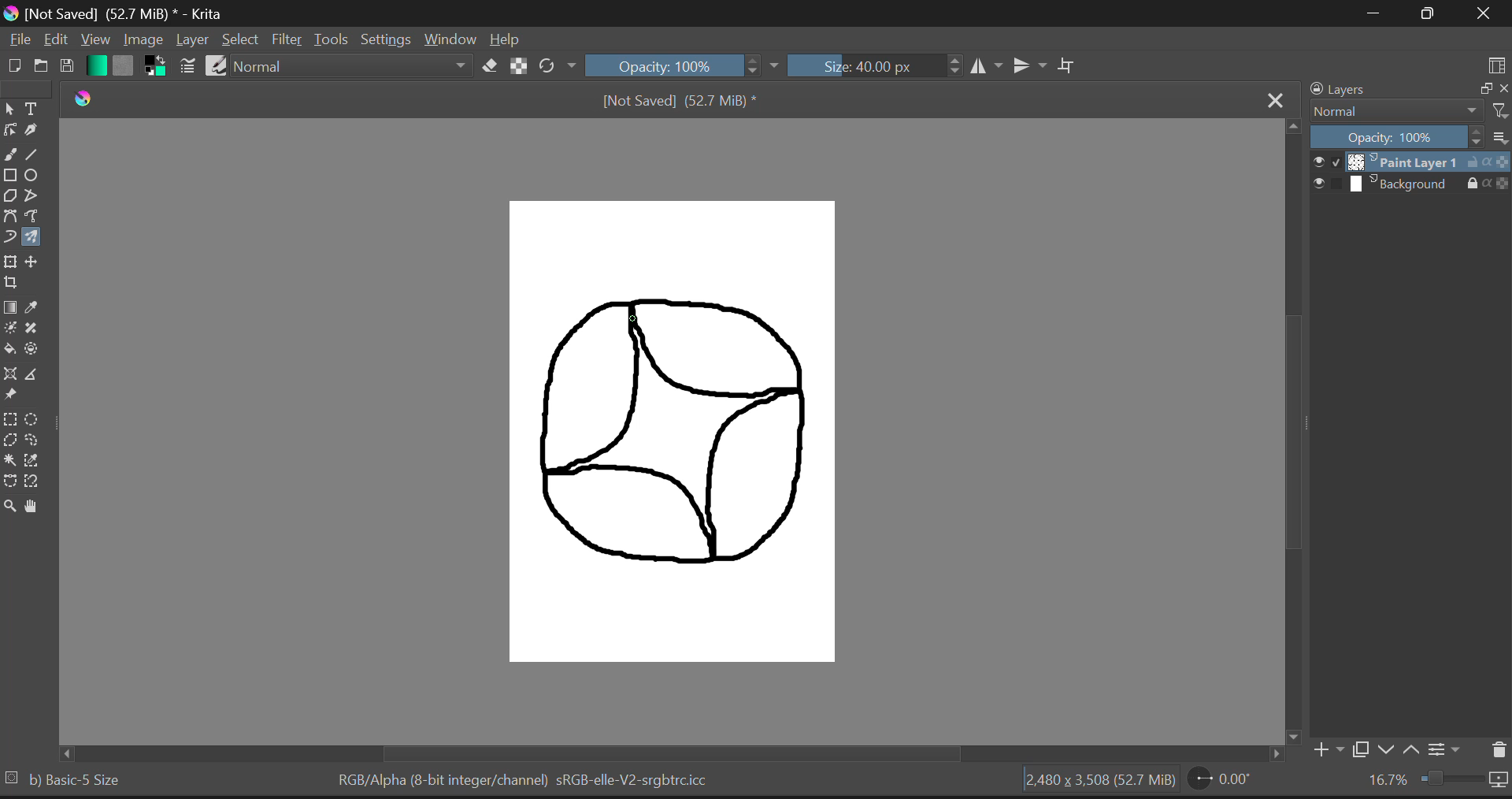  Describe the element at coordinates (84, 779) in the screenshot. I see `b) Basic-5 Size` at that location.